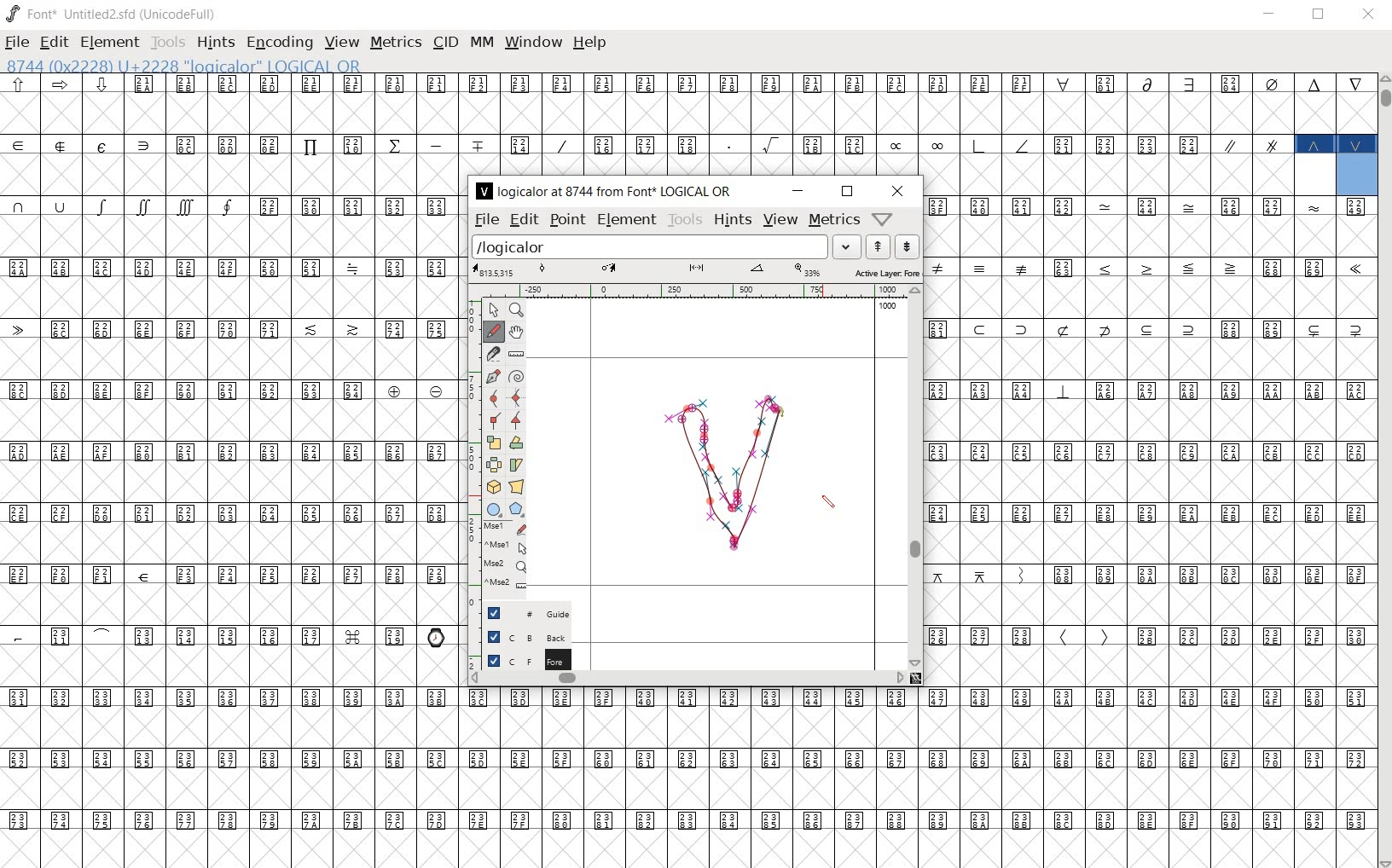 The image size is (1392, 868). I want to click on load word list, so click(667, 246).